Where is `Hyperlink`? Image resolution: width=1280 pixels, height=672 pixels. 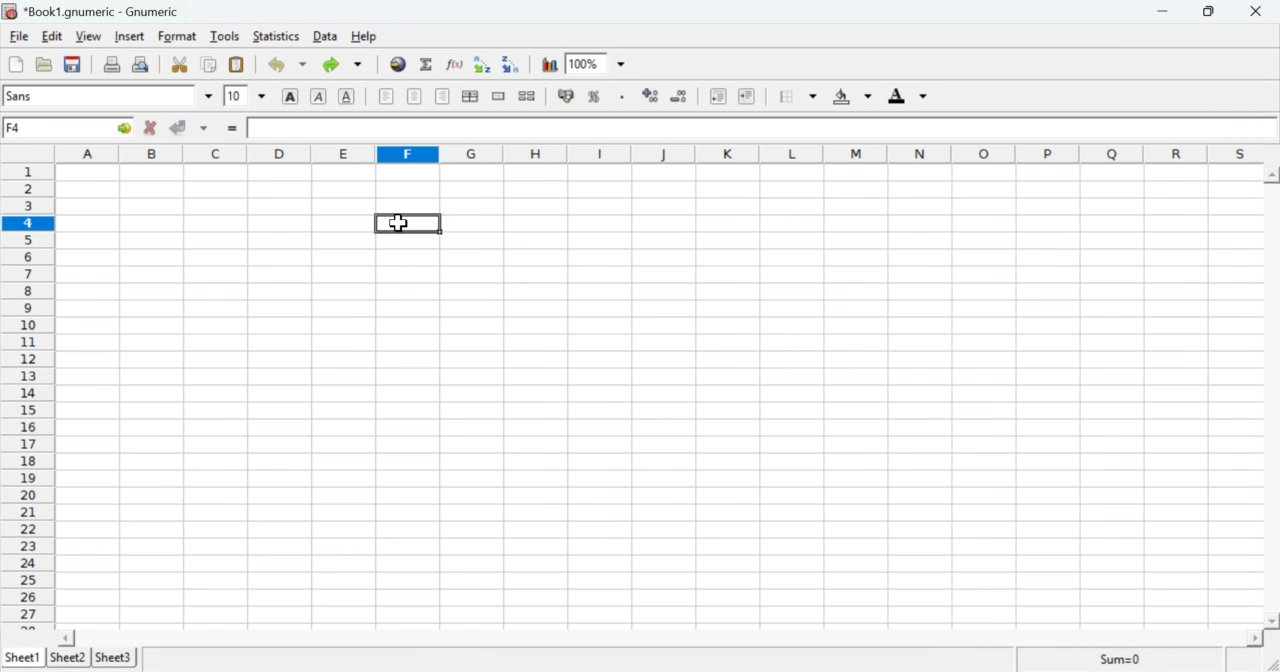 Hyperlink is located at coordinates (398, 67).